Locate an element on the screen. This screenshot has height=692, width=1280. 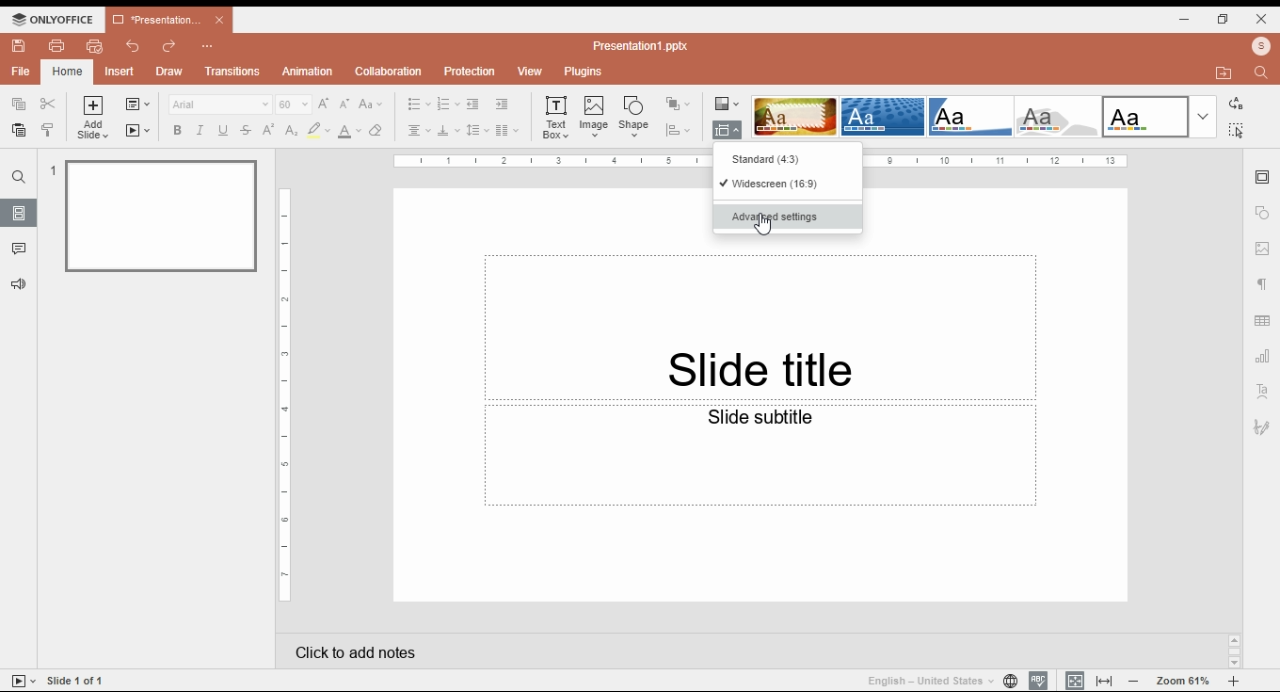
text box is located at coordinates (558, 116).